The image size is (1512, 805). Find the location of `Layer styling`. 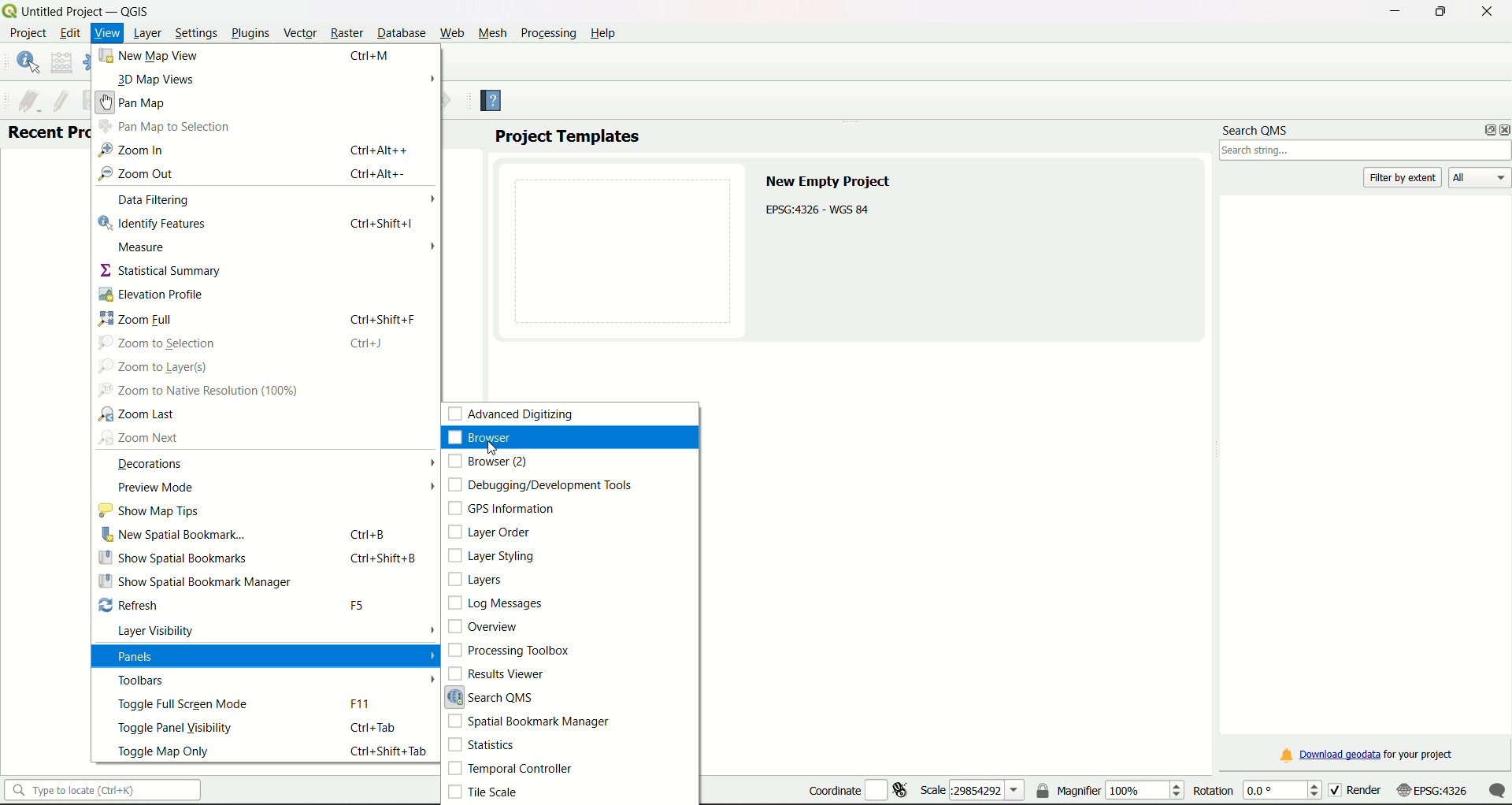

Layer styling is located at coordinates (492, 556).